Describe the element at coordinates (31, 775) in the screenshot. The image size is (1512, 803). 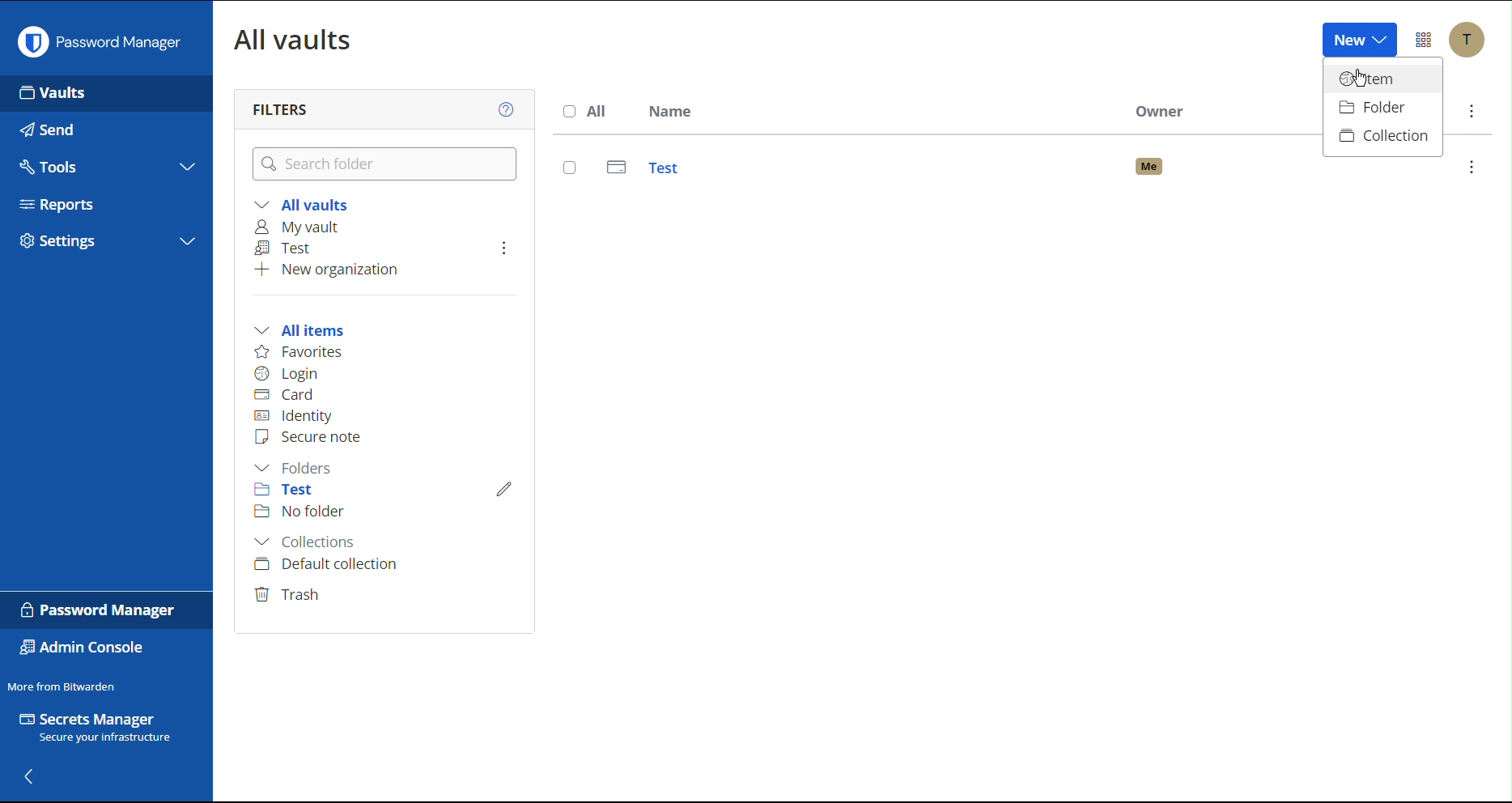
I see `Back` at that location.